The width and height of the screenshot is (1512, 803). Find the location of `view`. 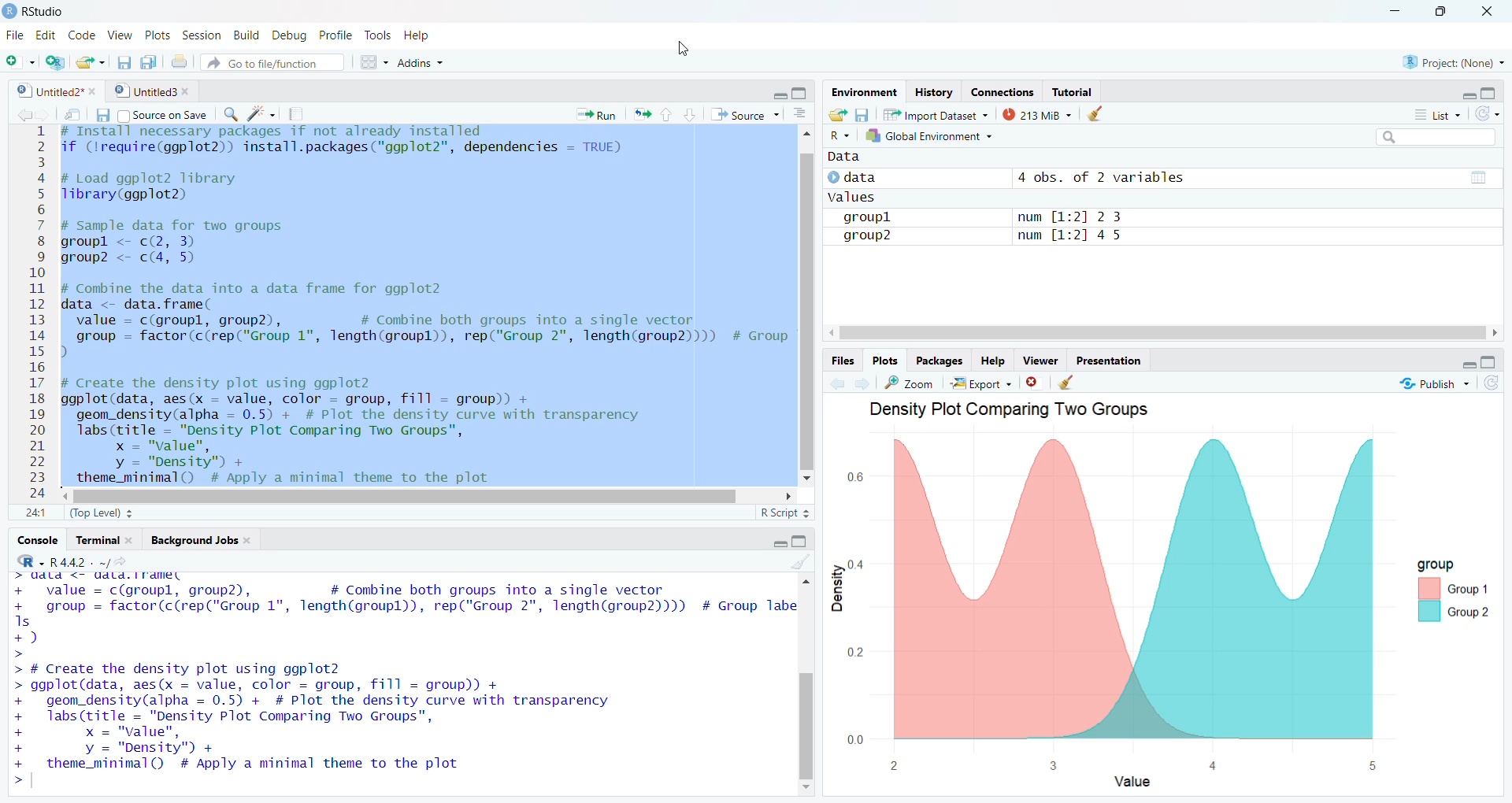

view is located at coordinates (118, 35).